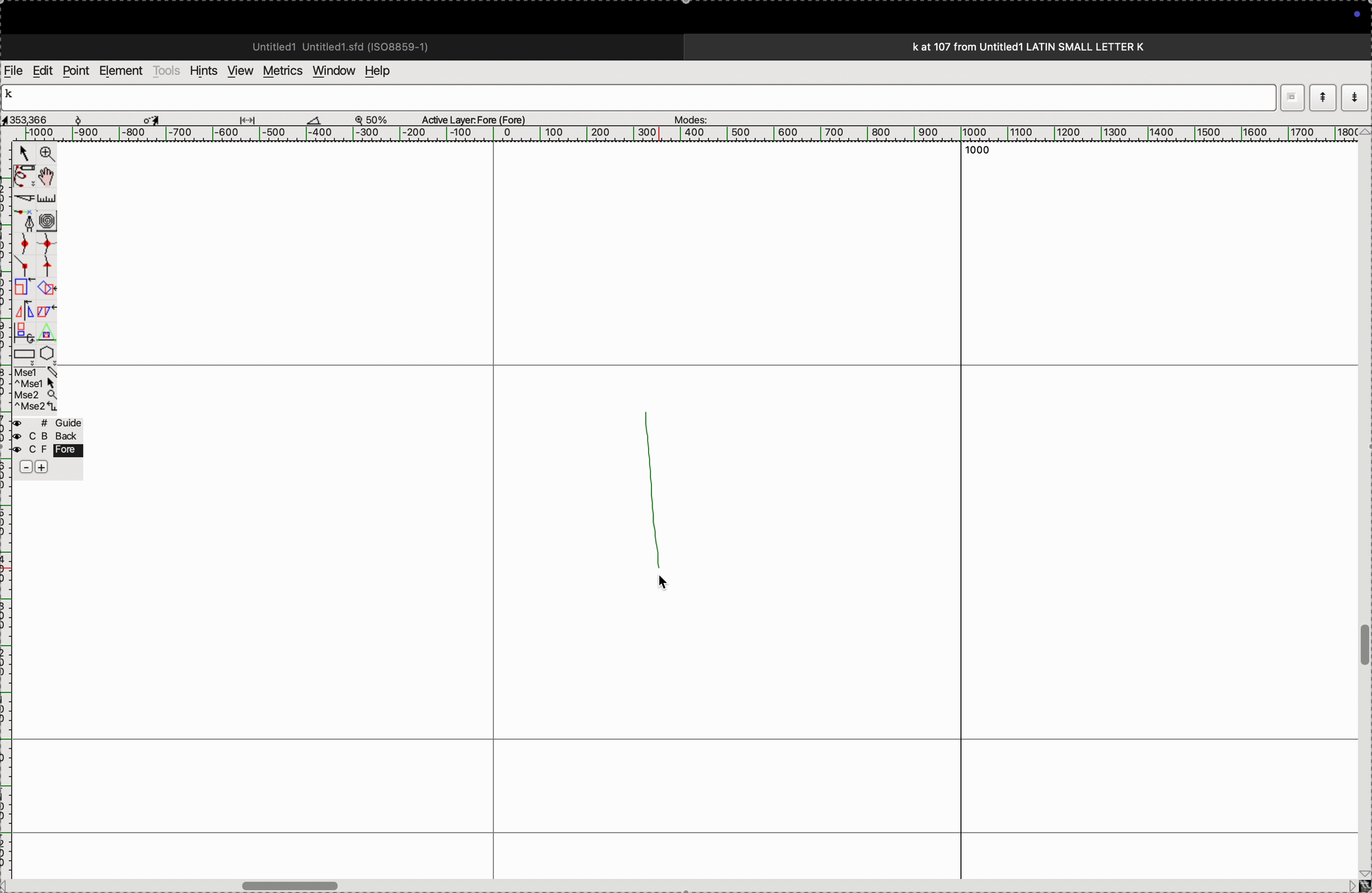 The height and width of the screenshot is (893, 1372). Describe the element at coordinates (37, 391) in the screenshot. I see `mse` at that location.